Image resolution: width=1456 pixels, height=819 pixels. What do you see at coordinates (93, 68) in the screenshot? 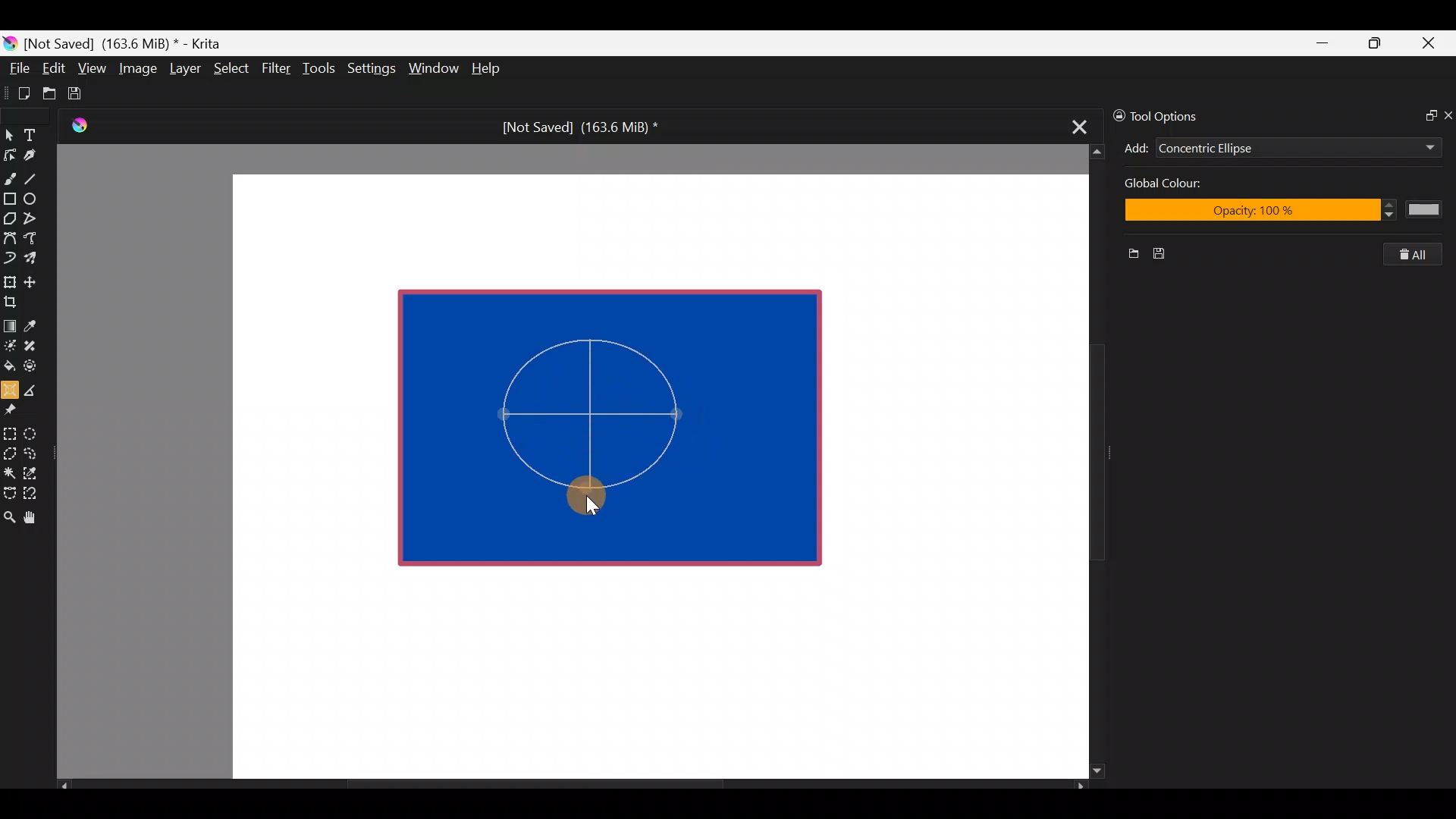
I see `View` at bounding box center [93, 68].